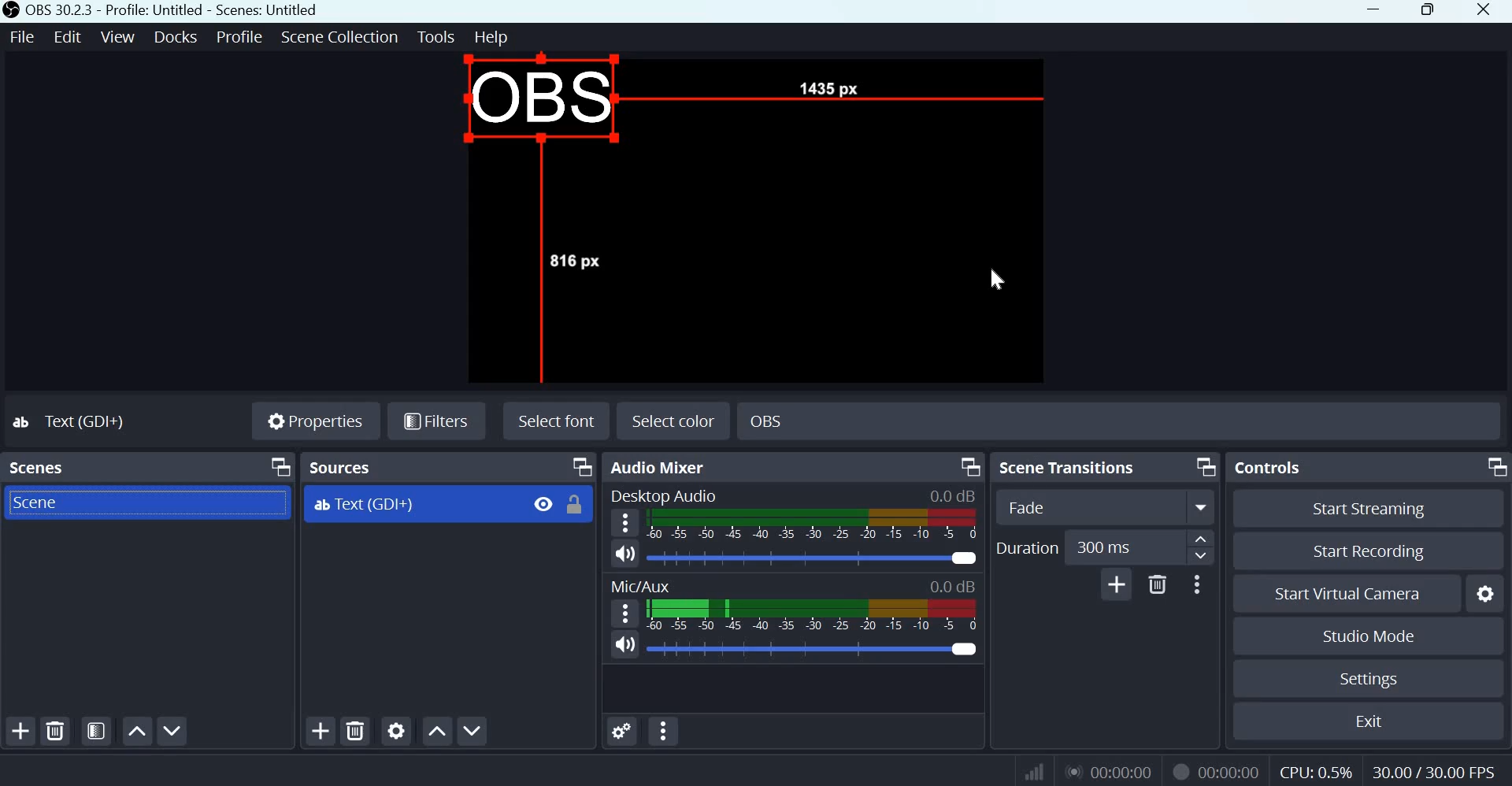 This screenshot has height=786, width=1512. What do you see at coordinates (953, 496) in the screenshot?
I see `0.0 dB` at bounding box center [953, 496].